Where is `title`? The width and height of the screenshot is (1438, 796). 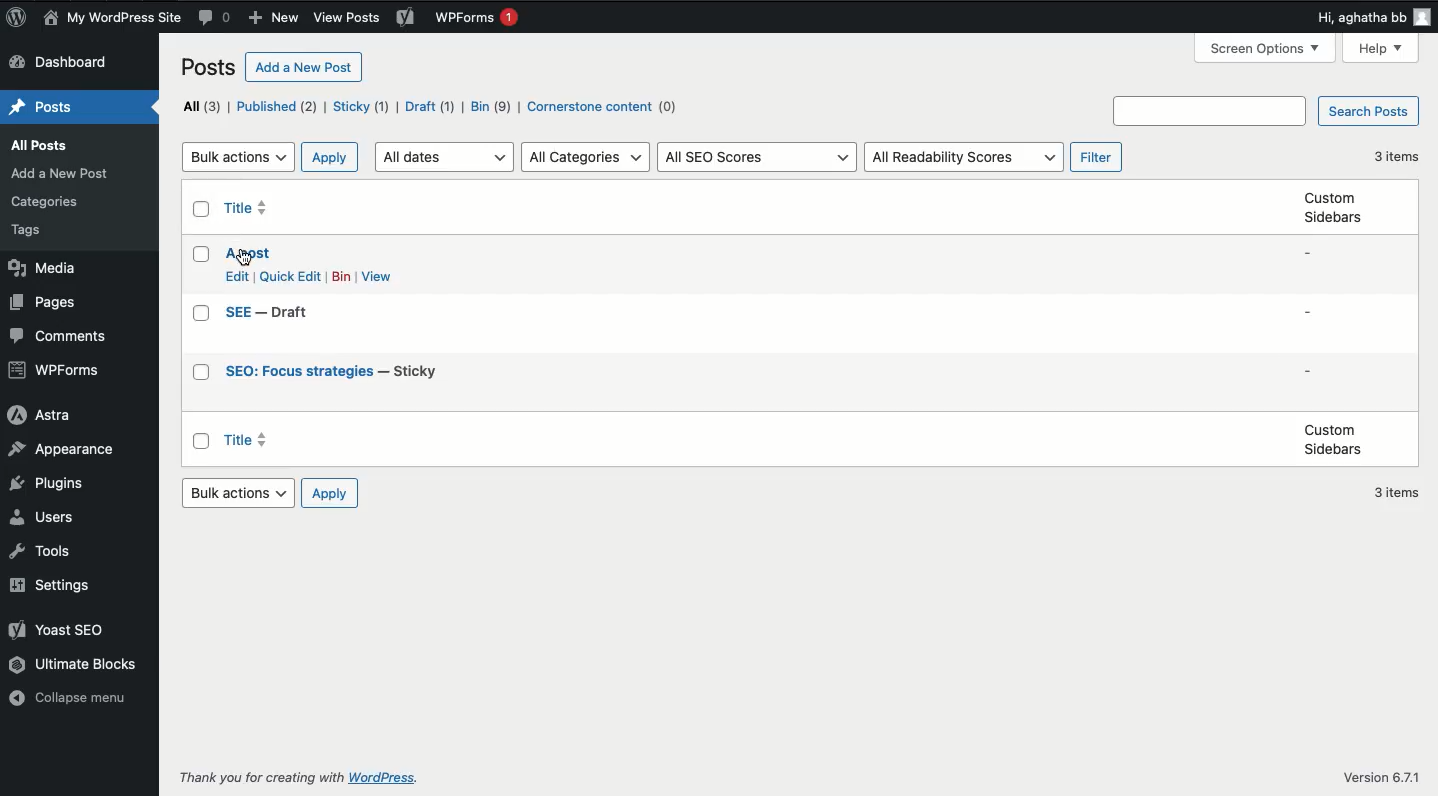
title is located at coordinates (247, 439).